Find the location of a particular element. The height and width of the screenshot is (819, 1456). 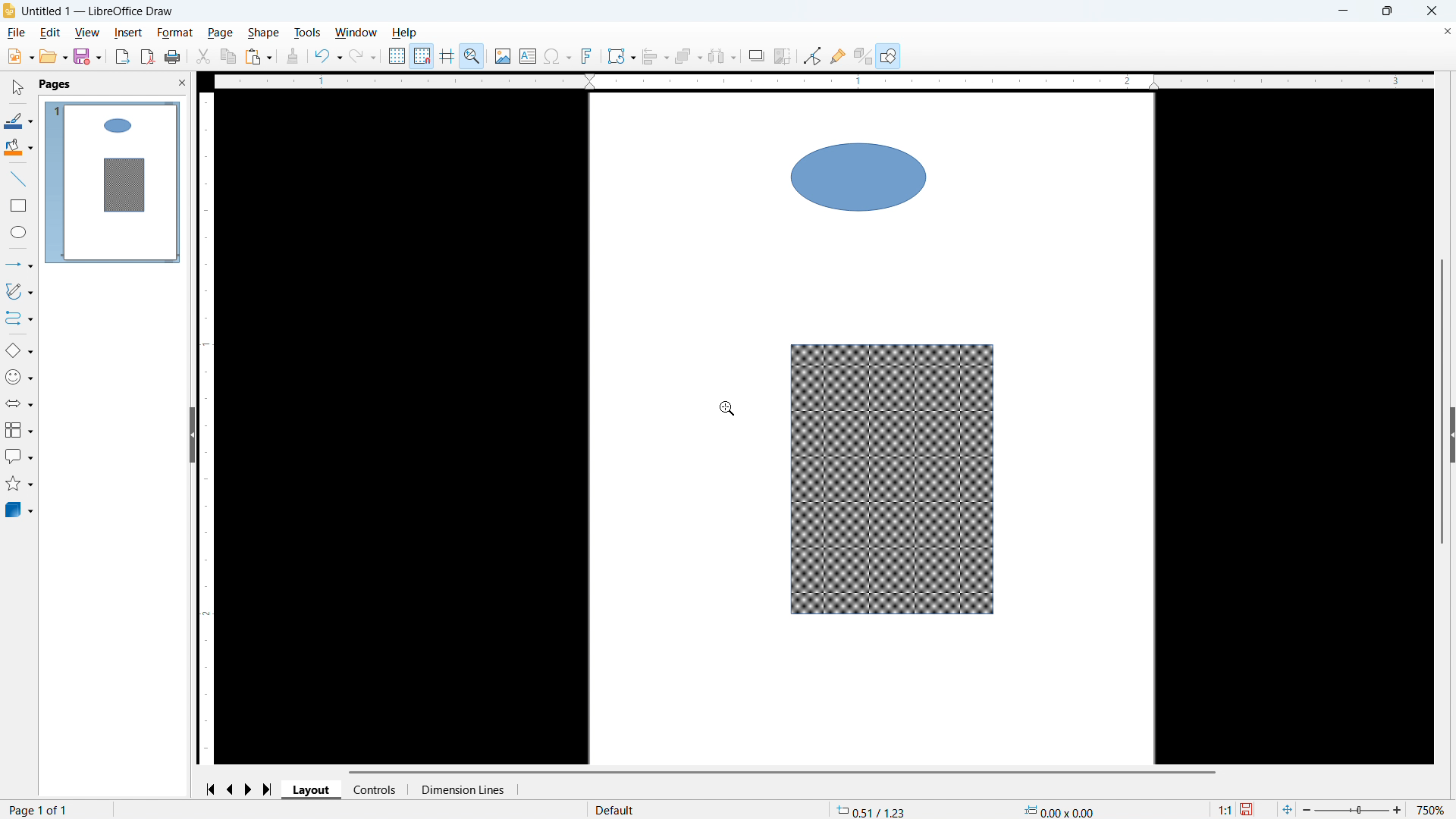

Show grids  is located at coordinates (397, 55).